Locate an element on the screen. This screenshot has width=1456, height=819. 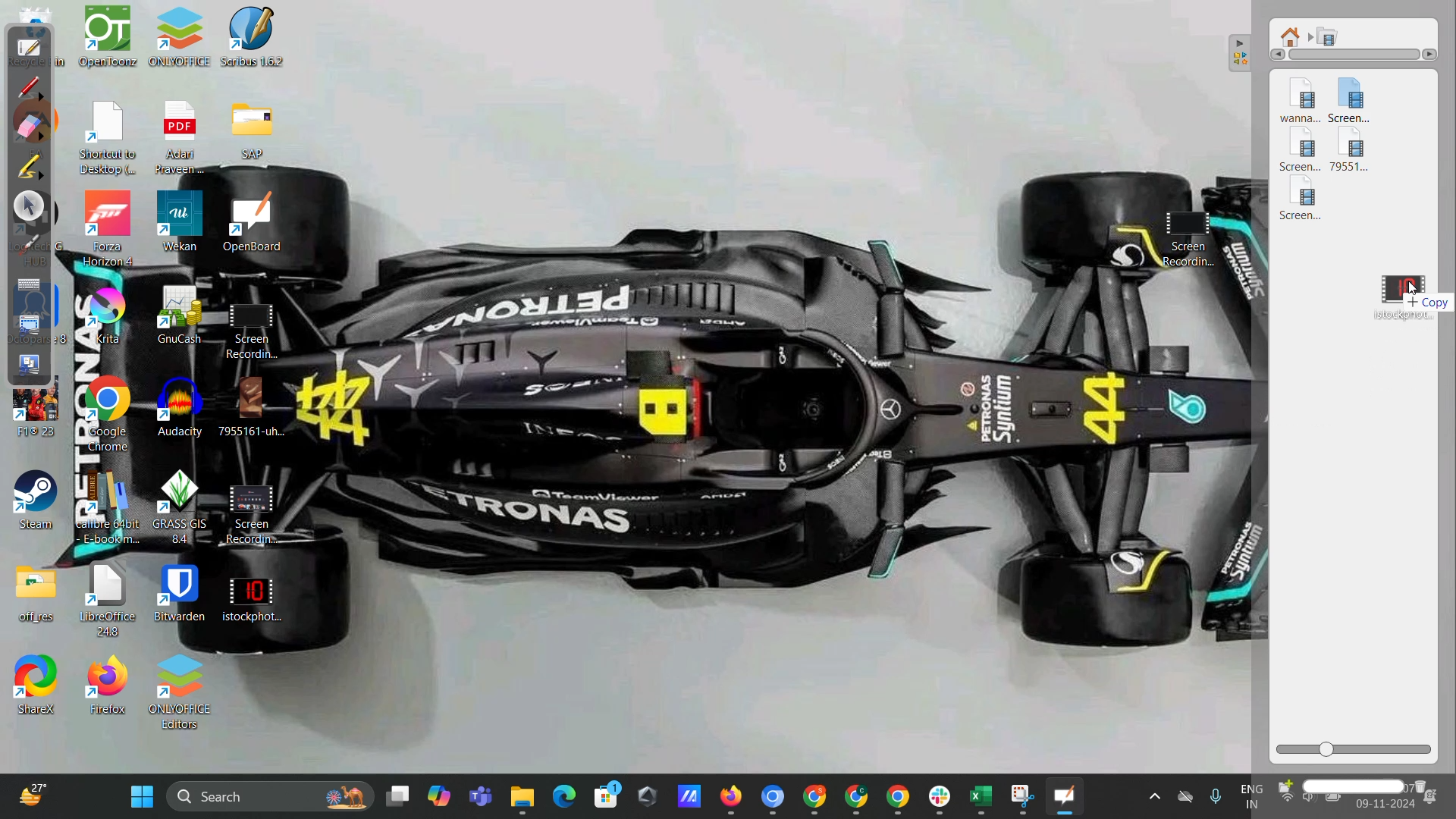
GnuCash is located at coordinates (181, 316).